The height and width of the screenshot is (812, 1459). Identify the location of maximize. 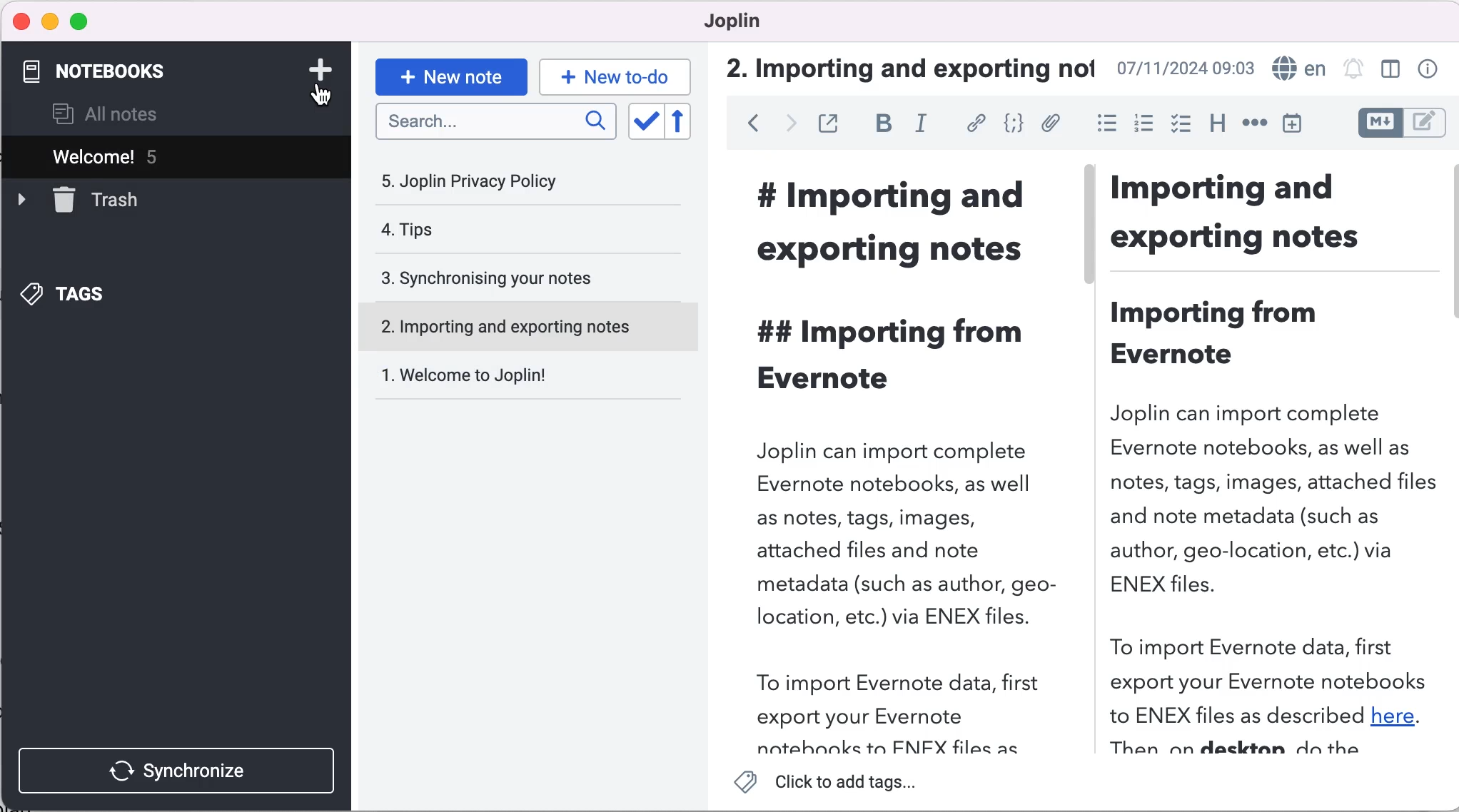
(82, 22).